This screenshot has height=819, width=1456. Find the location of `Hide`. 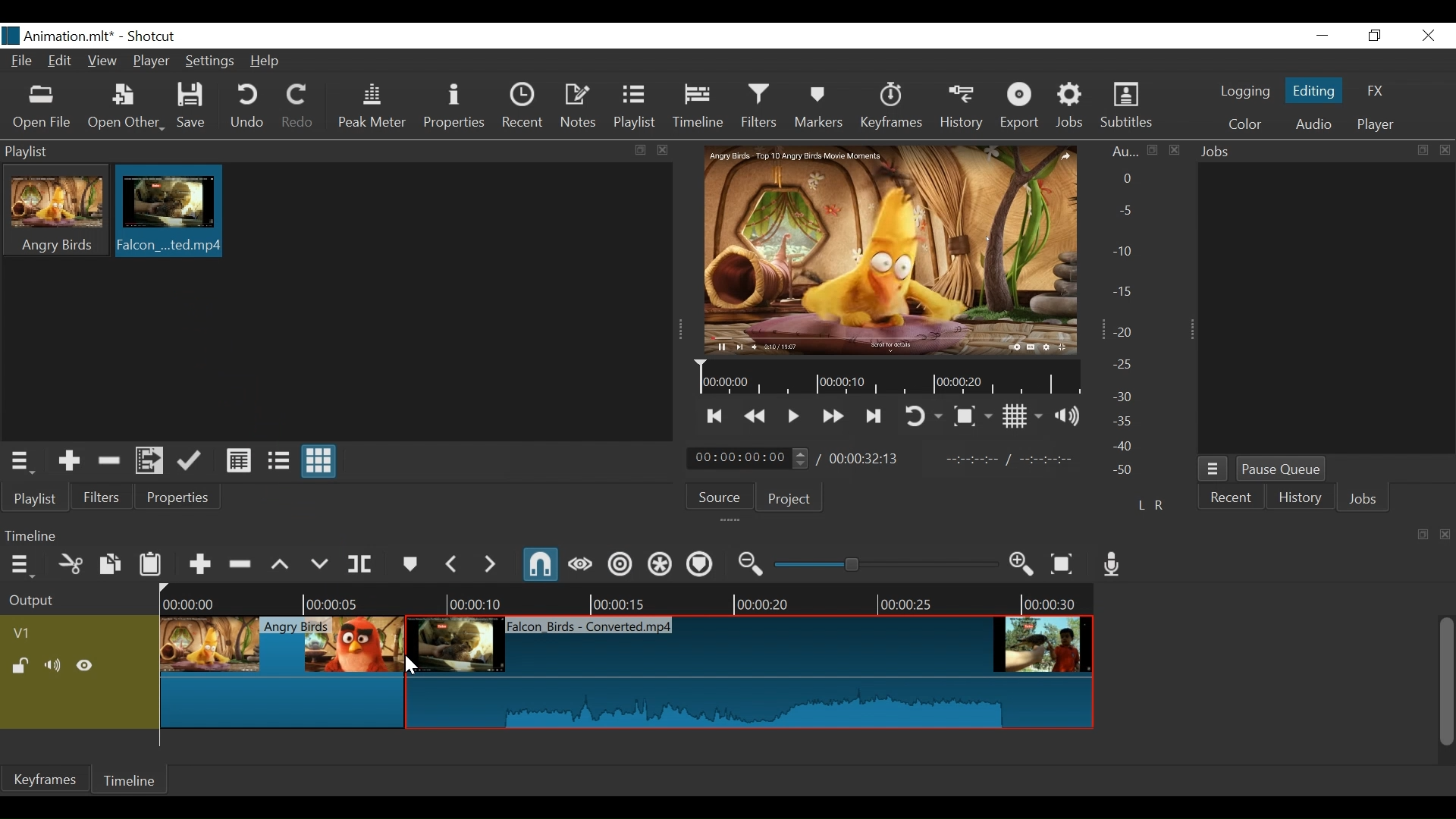

Hide is located at coordinates (86, 666).